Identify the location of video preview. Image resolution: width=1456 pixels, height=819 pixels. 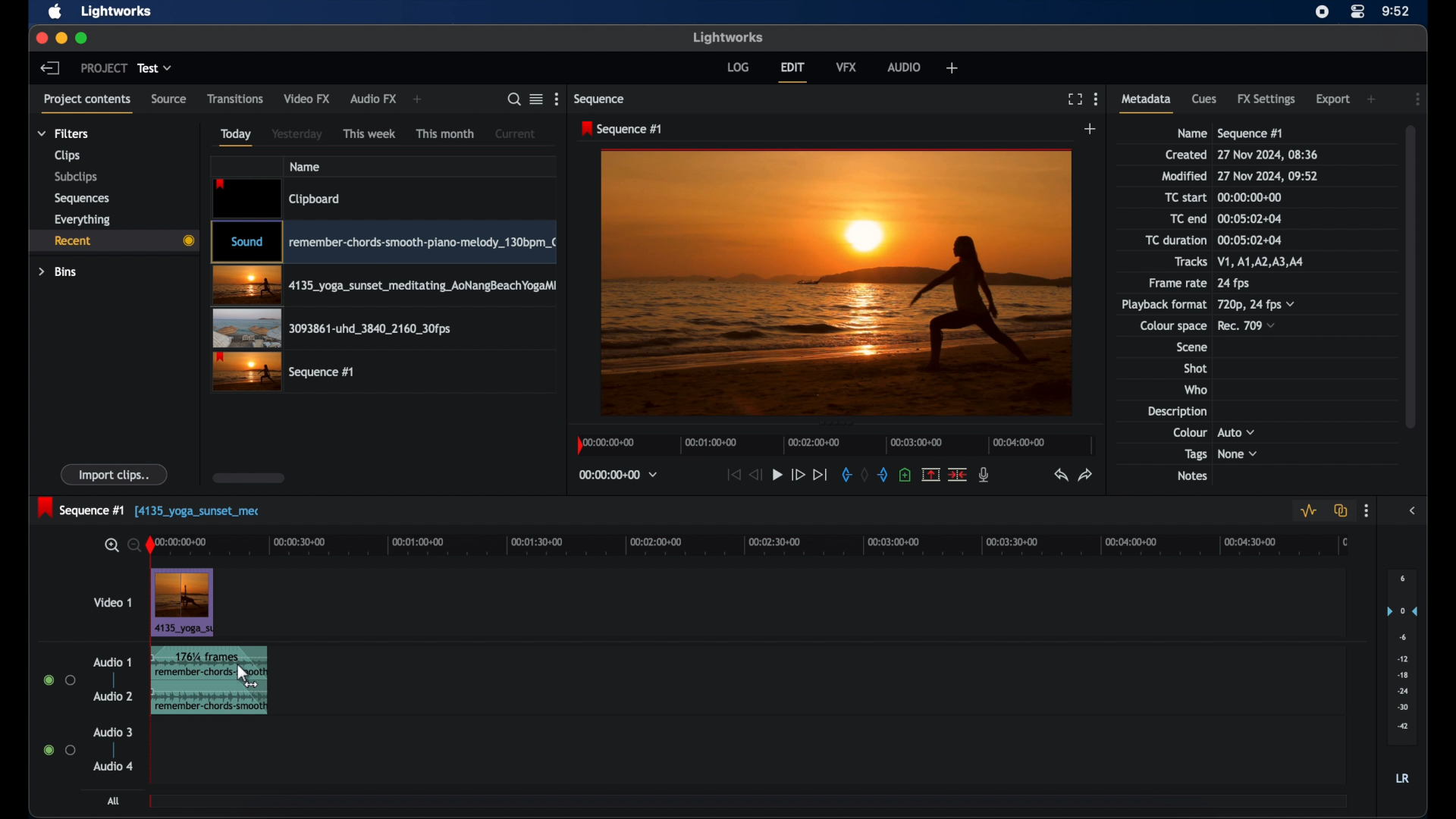
(836, 281).